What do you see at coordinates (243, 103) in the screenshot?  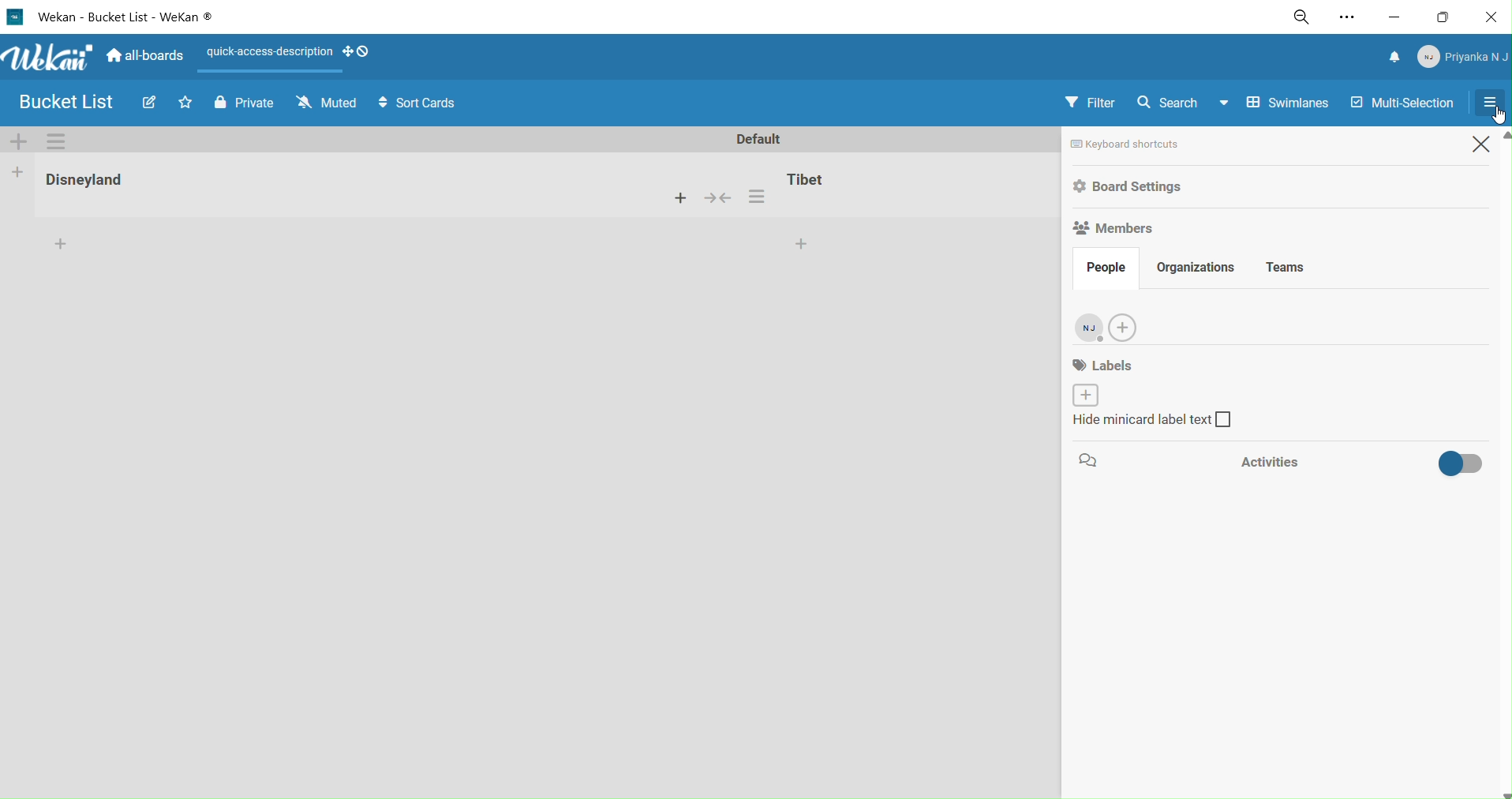 I see `private` at bounding box center [243, 103].